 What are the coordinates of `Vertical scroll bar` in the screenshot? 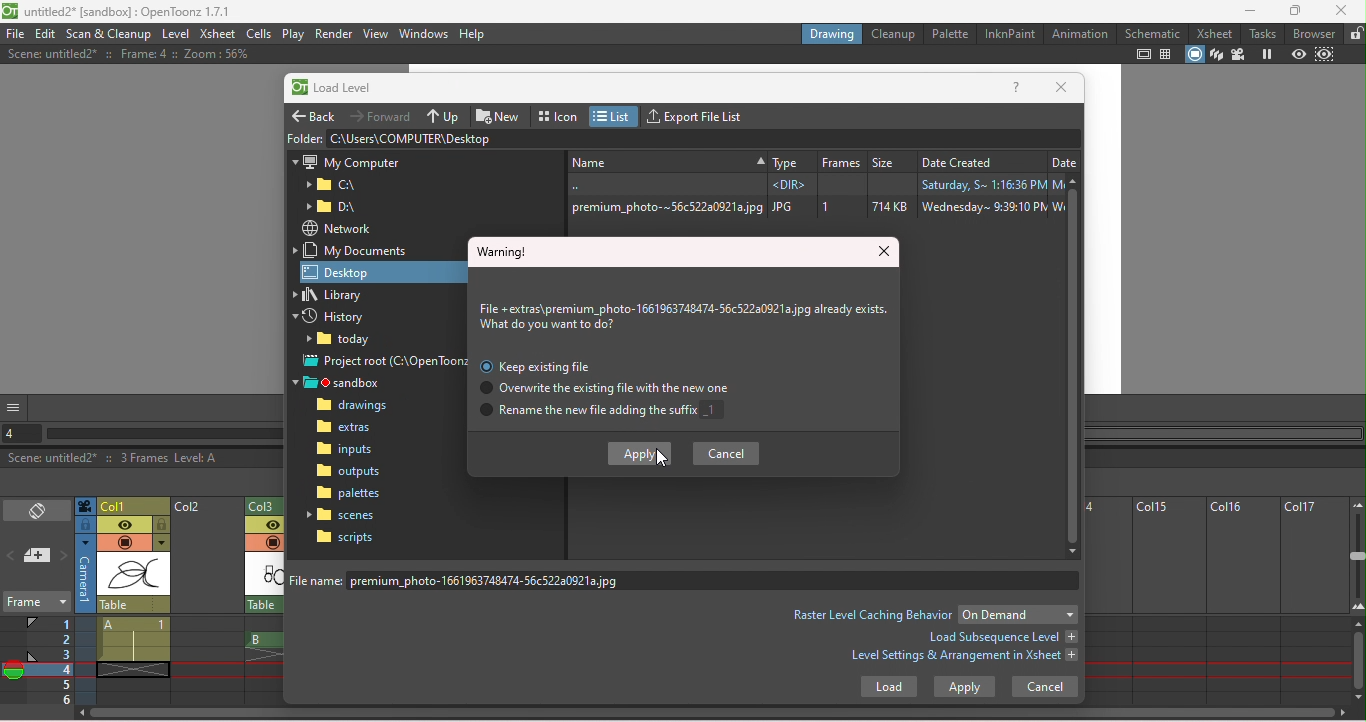 It's located at (1075, 366).